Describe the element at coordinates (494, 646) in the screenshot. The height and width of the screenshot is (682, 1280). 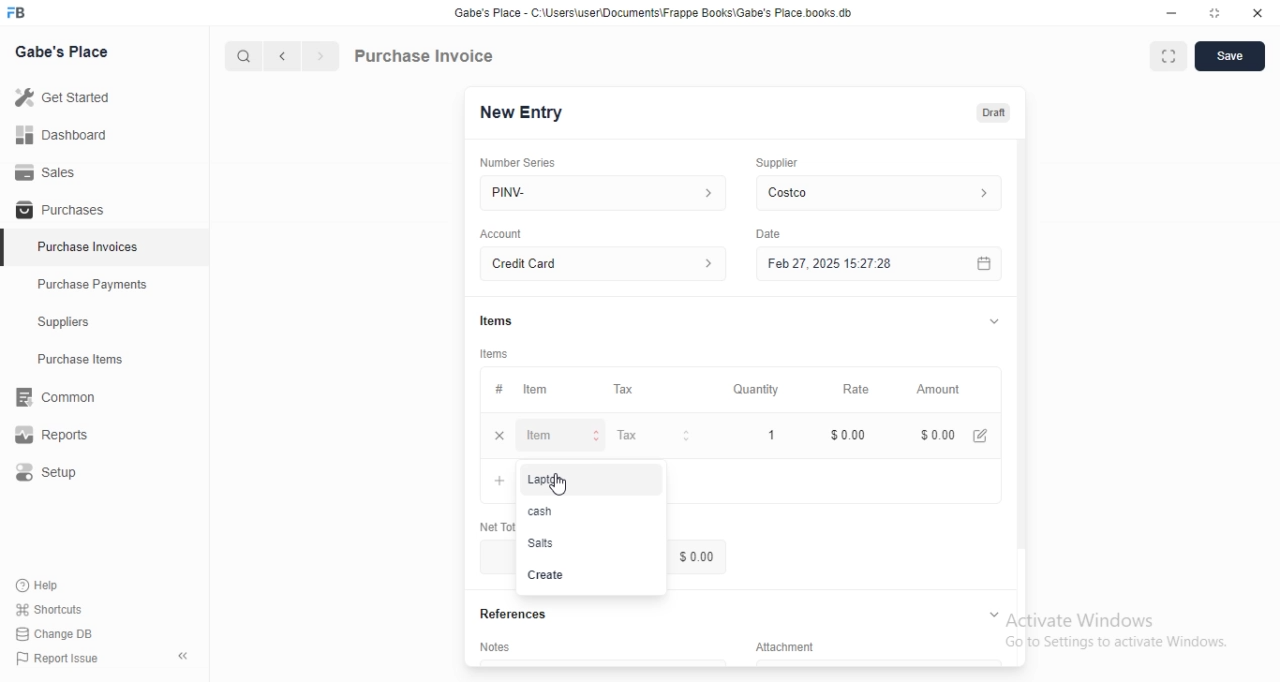
I see `Notes` at that location.